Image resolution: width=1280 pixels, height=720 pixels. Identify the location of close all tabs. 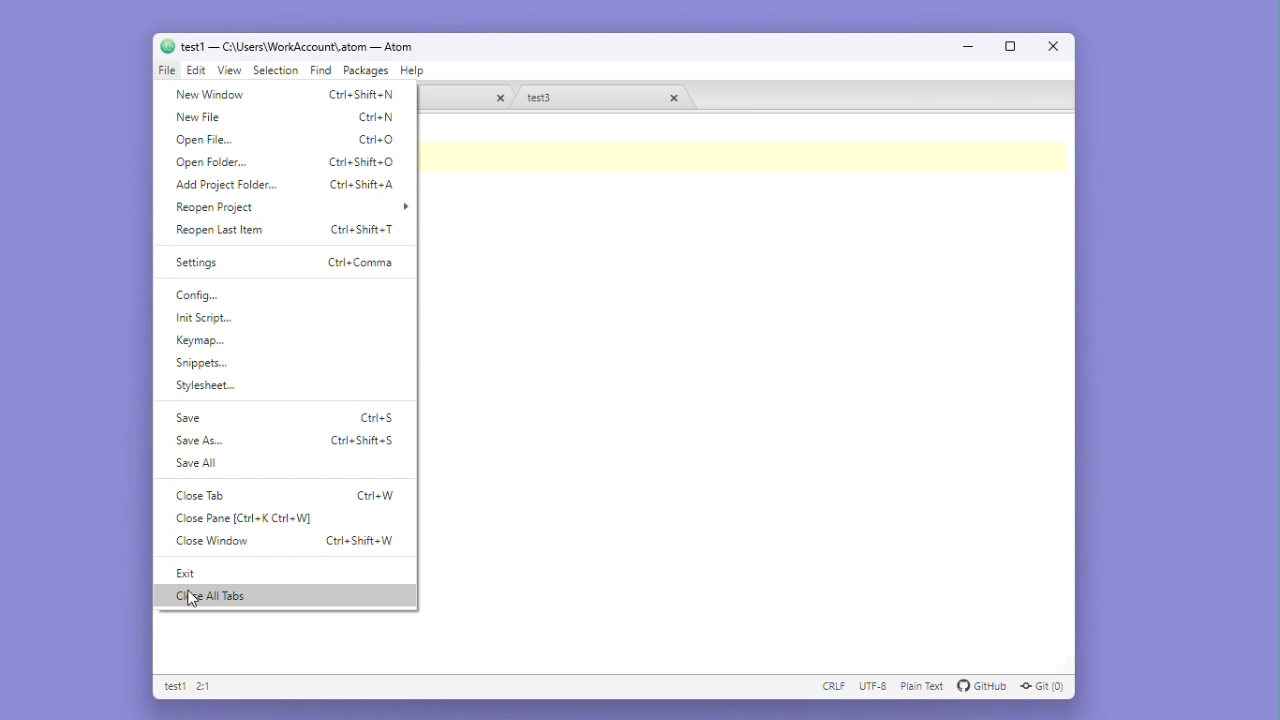
(274, 597).